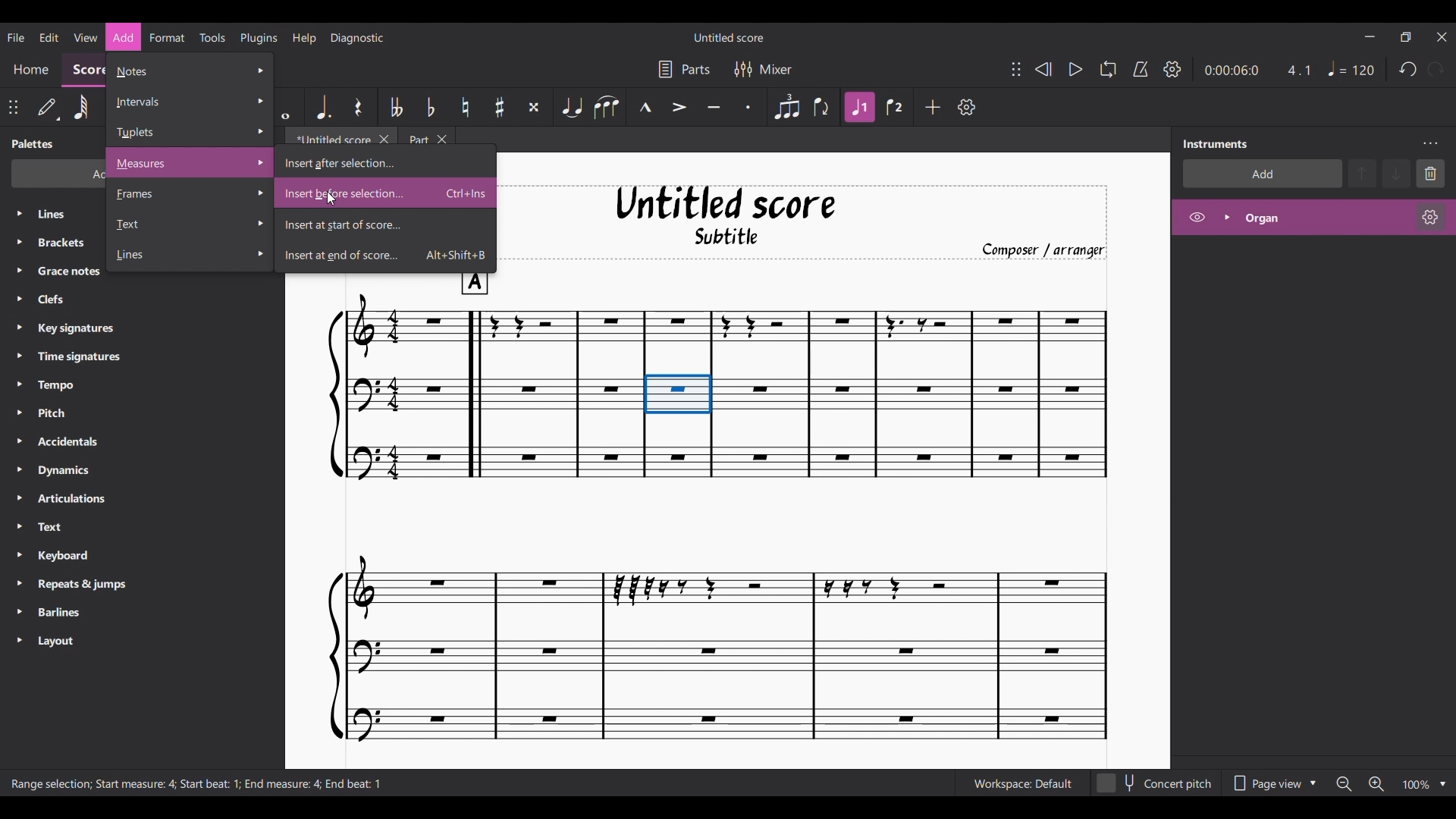  What do you see at coordinates (822, 108) in the screenshot?
I see `Flip direction` at bounding box center [822, 108].